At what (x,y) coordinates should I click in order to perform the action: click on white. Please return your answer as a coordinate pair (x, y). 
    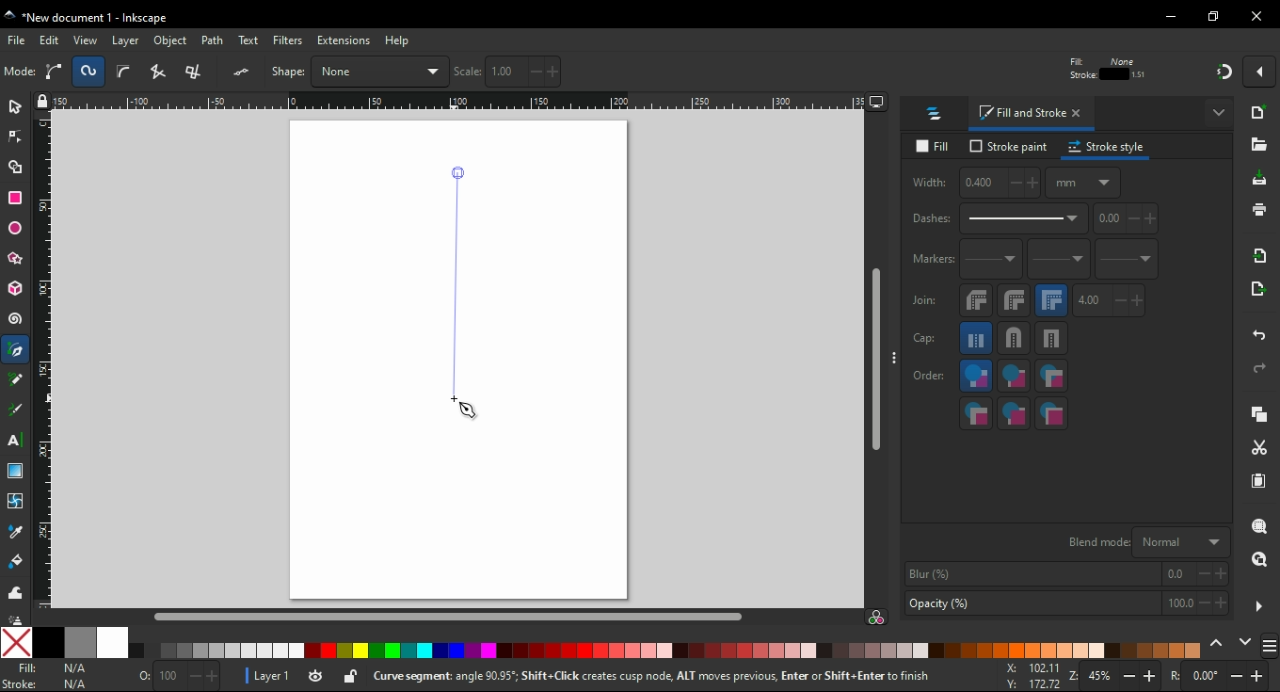
    Looking at the image, I should click on (113, 642).